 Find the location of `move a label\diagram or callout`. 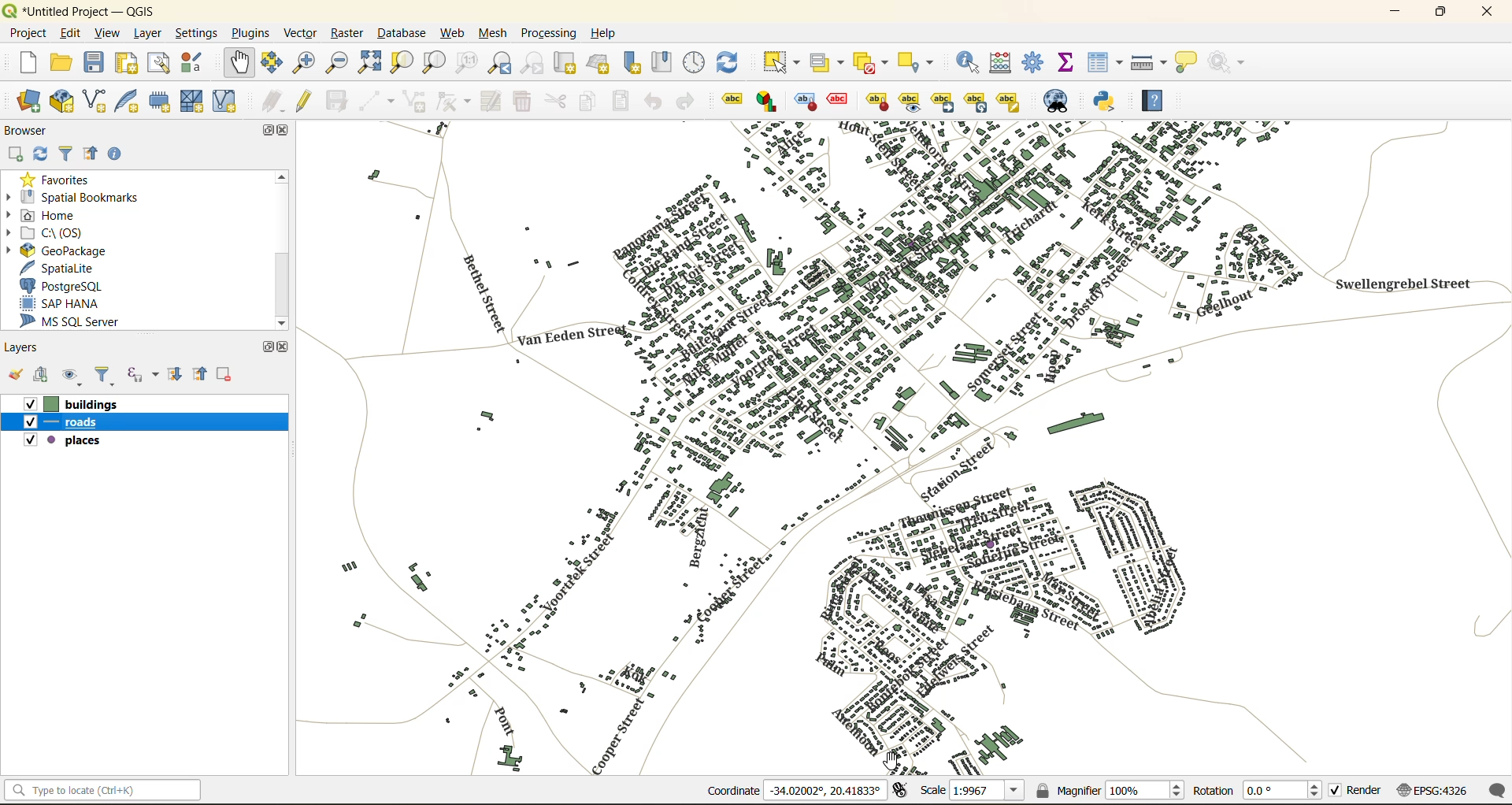

move a label\diagram or callout is located at coordinates (945, 103).